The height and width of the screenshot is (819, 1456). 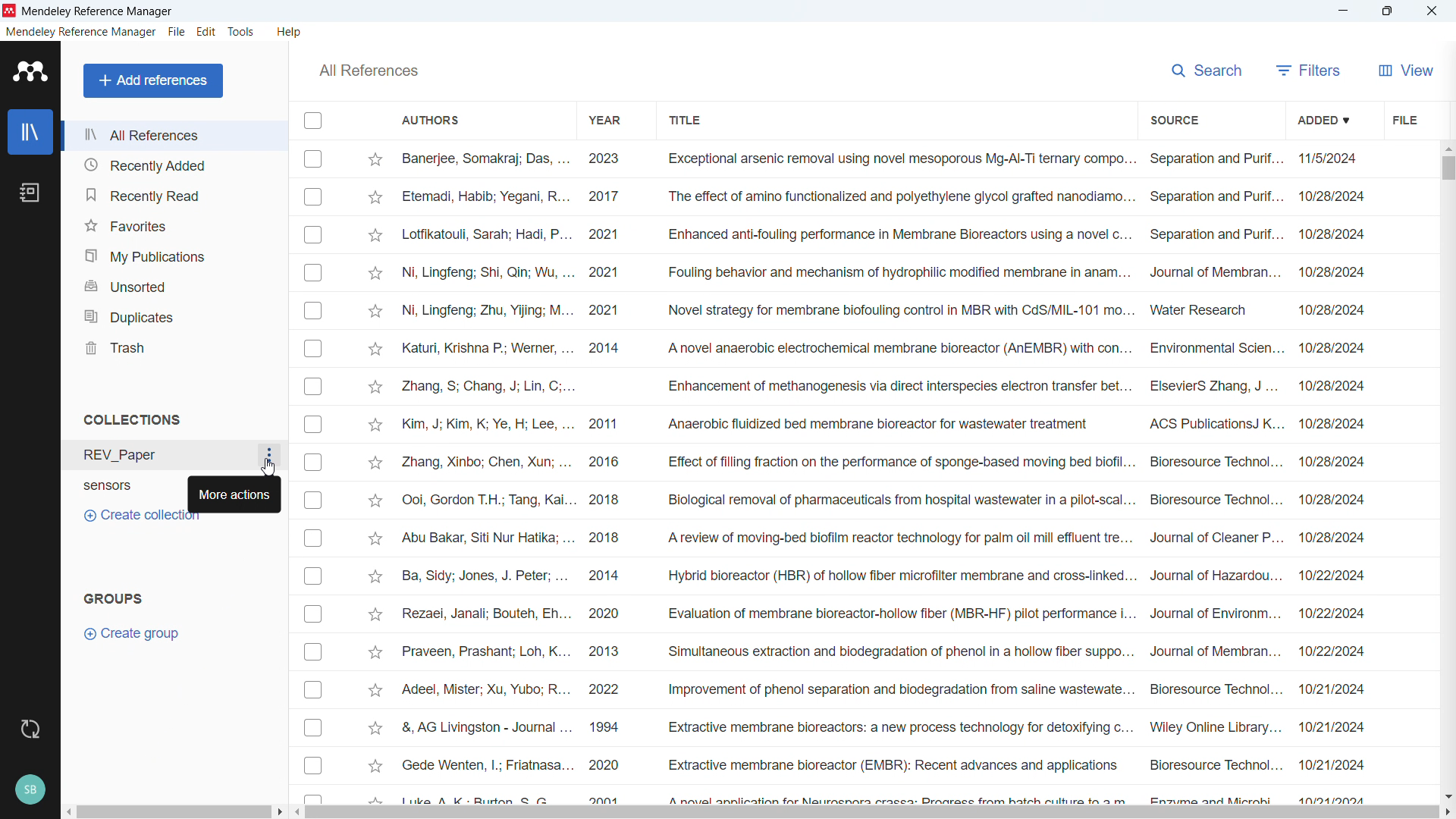 I want to click on Rezaei, Janali; Bouteh, Eh... 2020 Evaluation of membrane bioreactor-hollow fiber (MBR-HF) pilot performance i... Journal of Environm... 10/22/2024, so click(x=883, y=613).